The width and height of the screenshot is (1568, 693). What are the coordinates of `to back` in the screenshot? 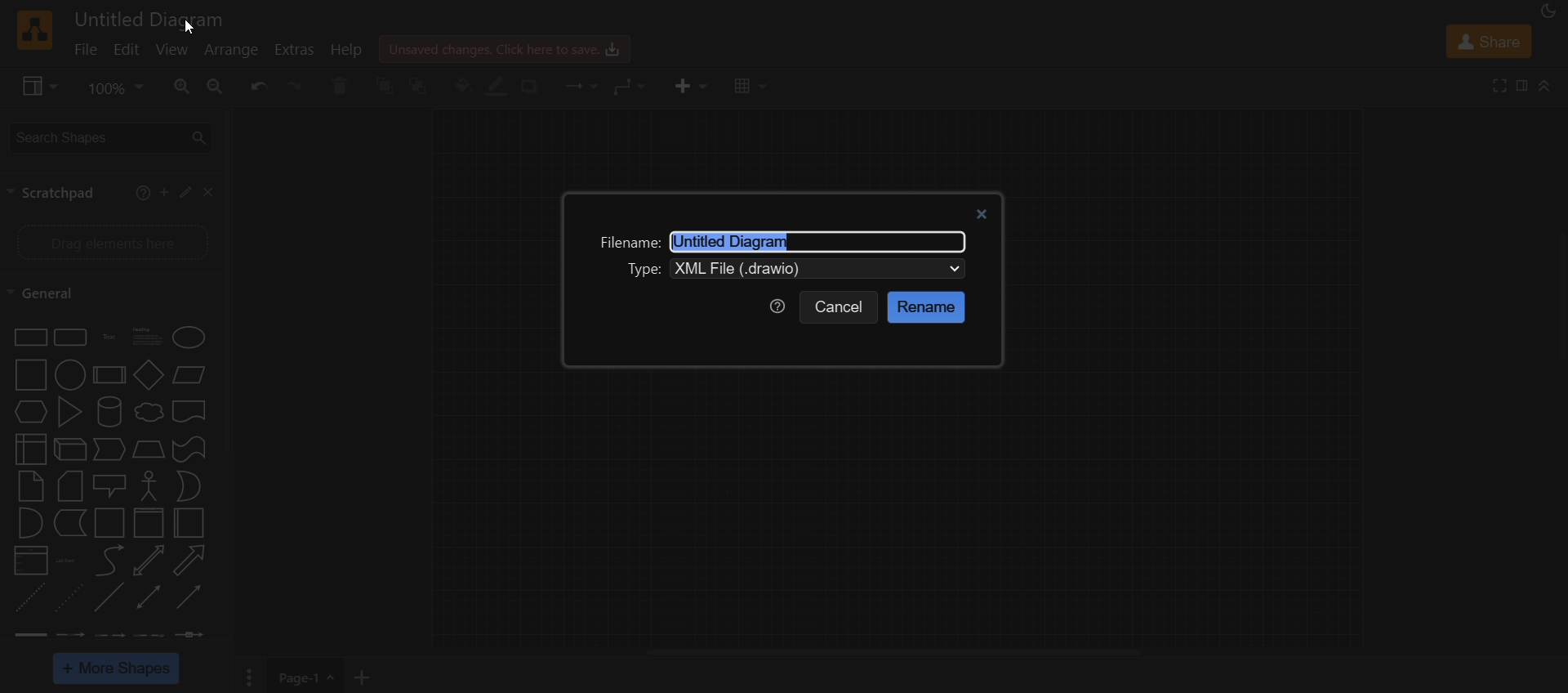 It's located at (423, 85).